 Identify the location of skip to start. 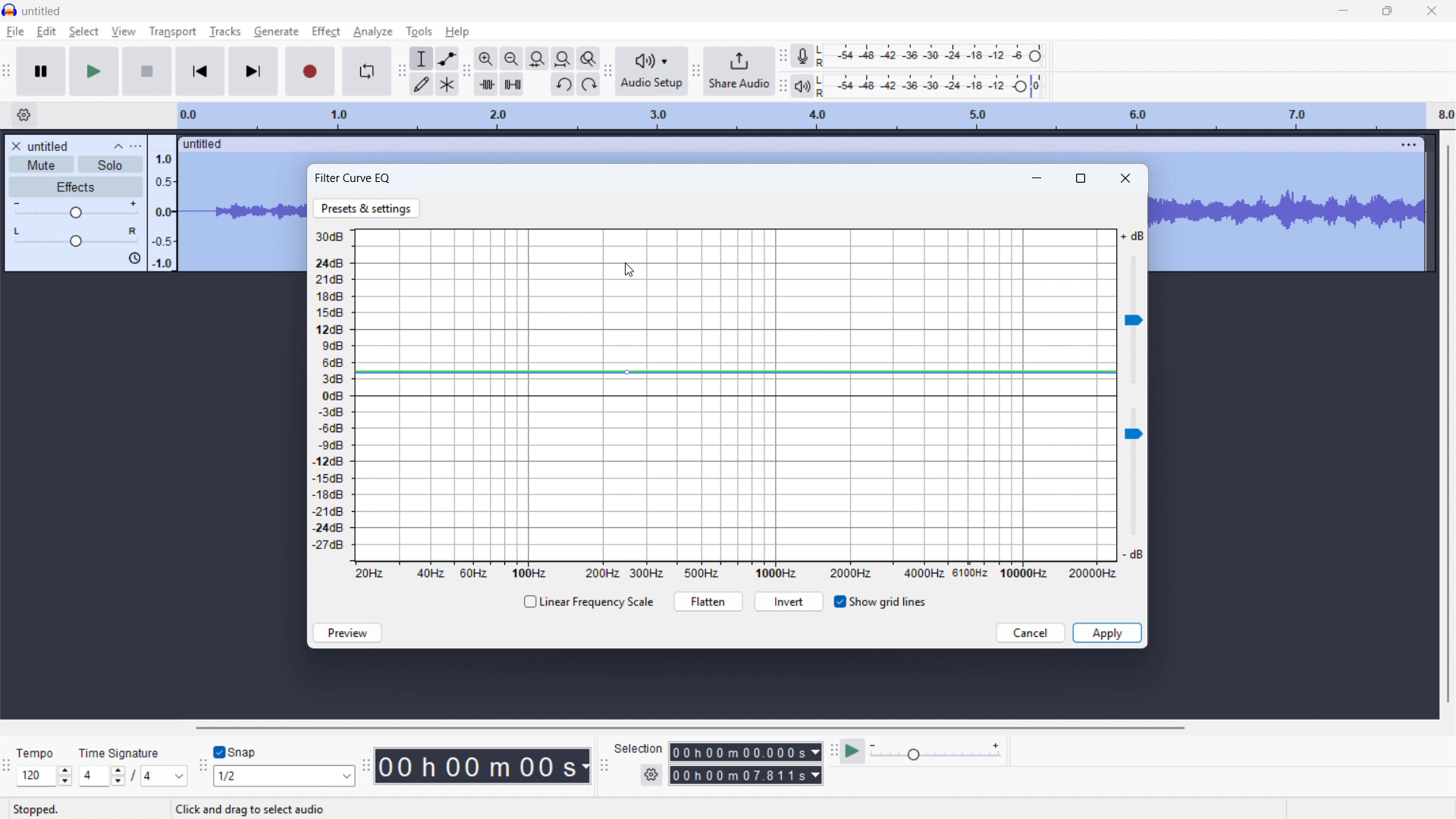
(200, 71).